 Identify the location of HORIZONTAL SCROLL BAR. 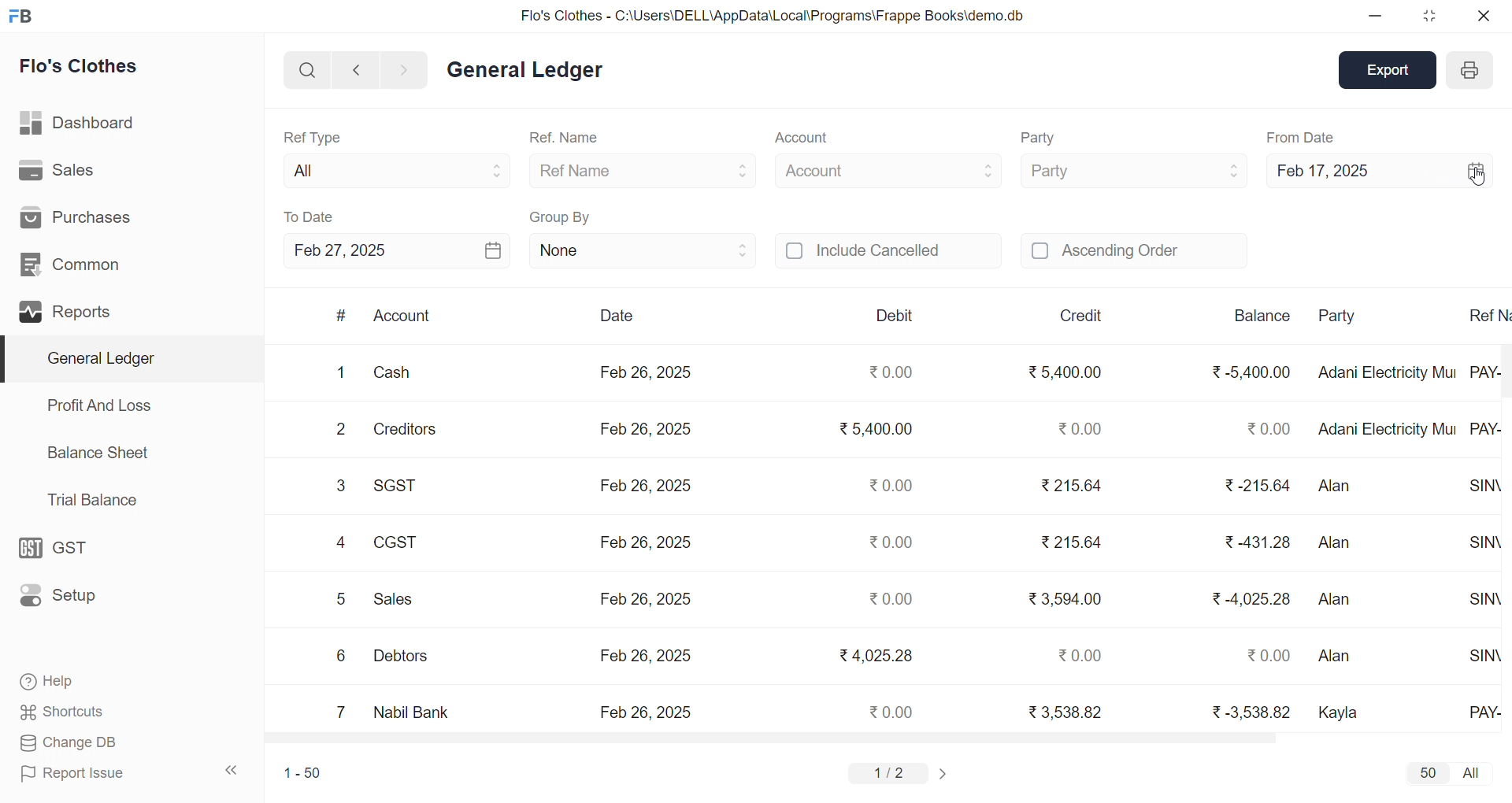
(871, 738).